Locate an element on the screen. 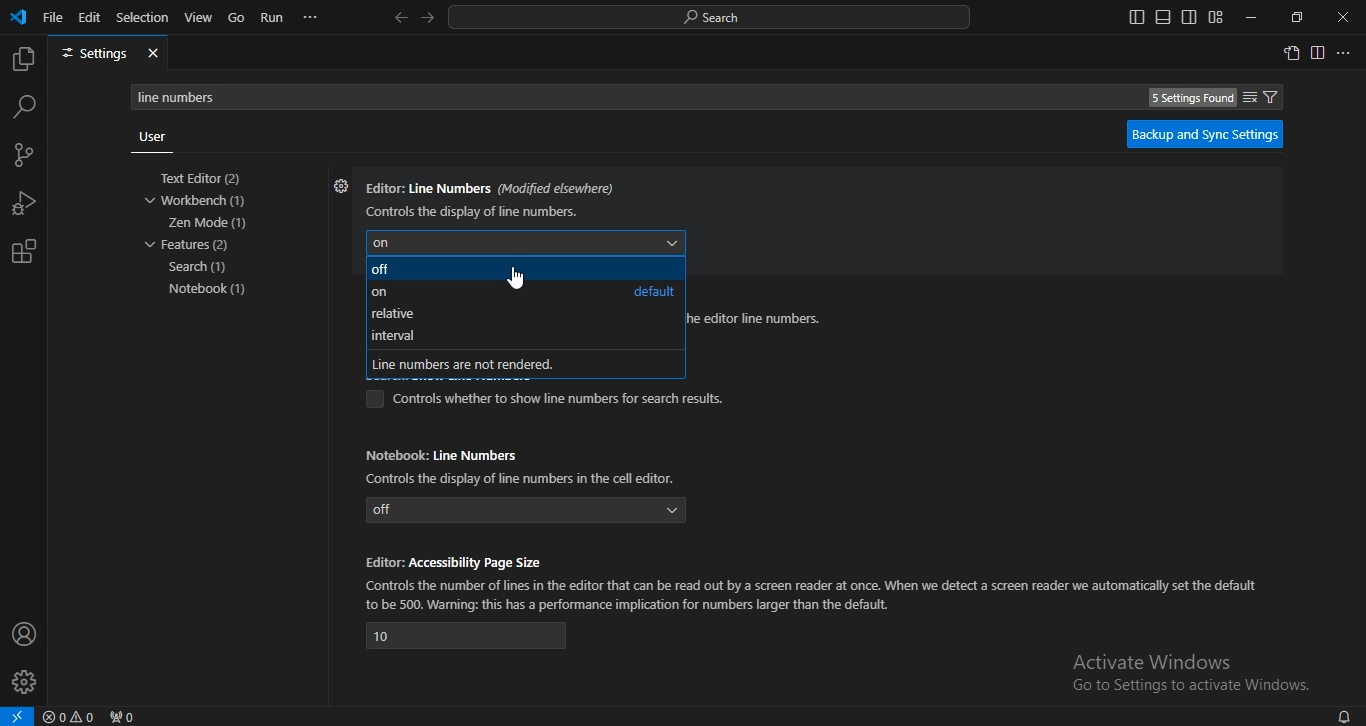 The width and height of the screenshot is (1366, 726). ‘Search: Show Line Numbers.
Controls whether to show line numbers for search results. is located at coordinates (549, 399).